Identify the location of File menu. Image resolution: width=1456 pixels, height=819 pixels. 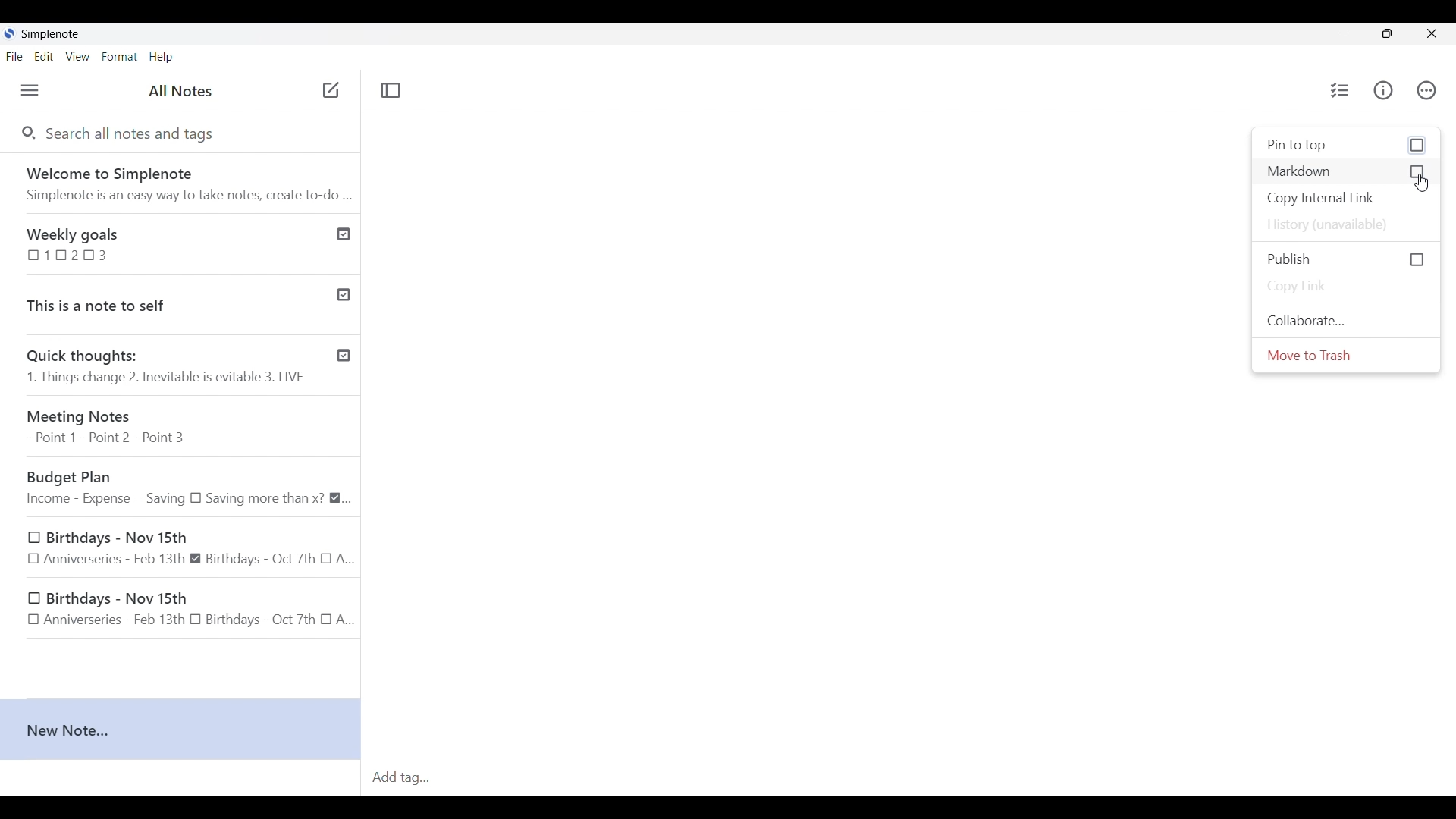
(14, 56).